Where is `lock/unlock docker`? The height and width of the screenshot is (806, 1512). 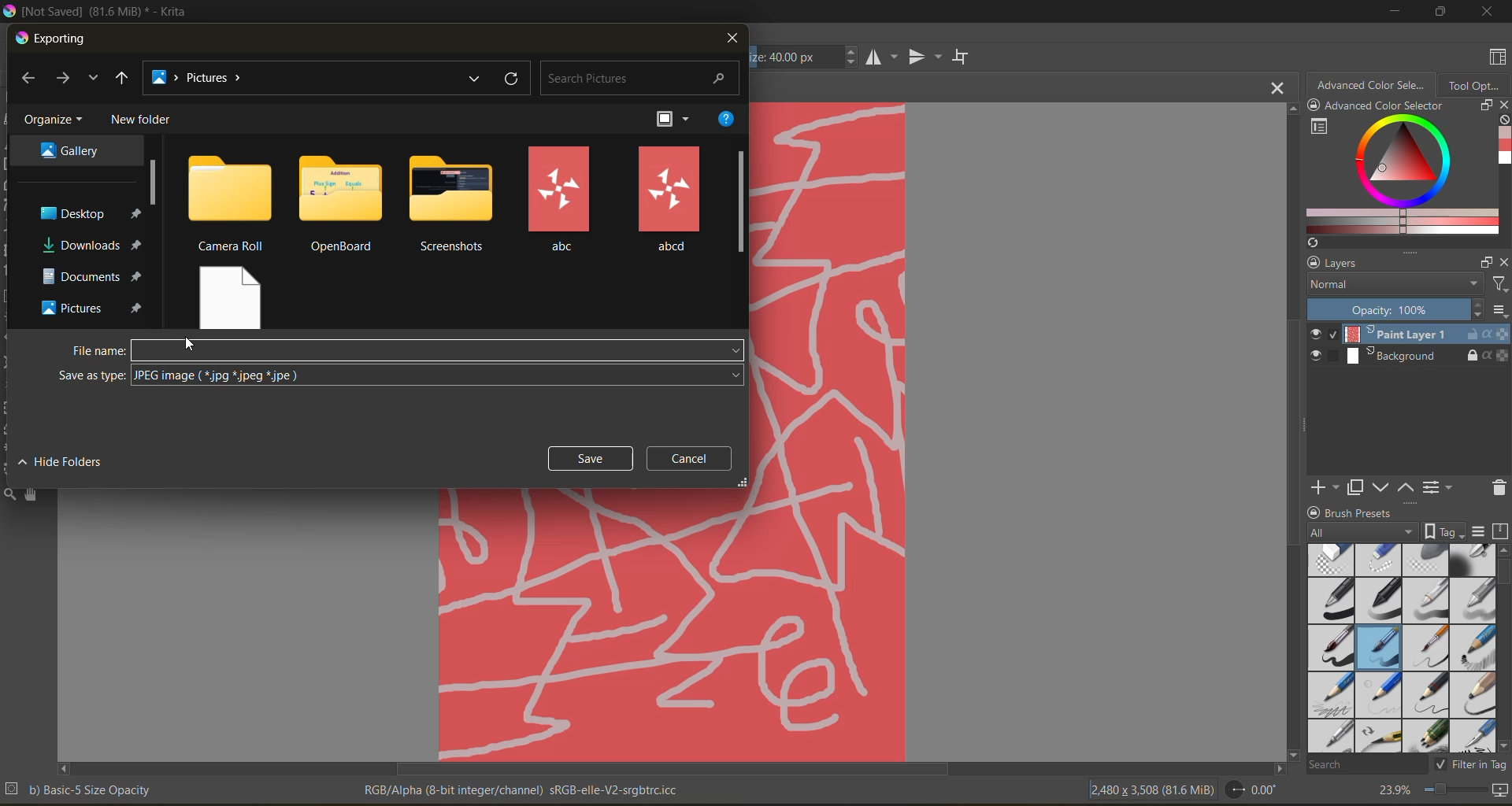
lock/unlock docker is located at coordinates (1316, 511).